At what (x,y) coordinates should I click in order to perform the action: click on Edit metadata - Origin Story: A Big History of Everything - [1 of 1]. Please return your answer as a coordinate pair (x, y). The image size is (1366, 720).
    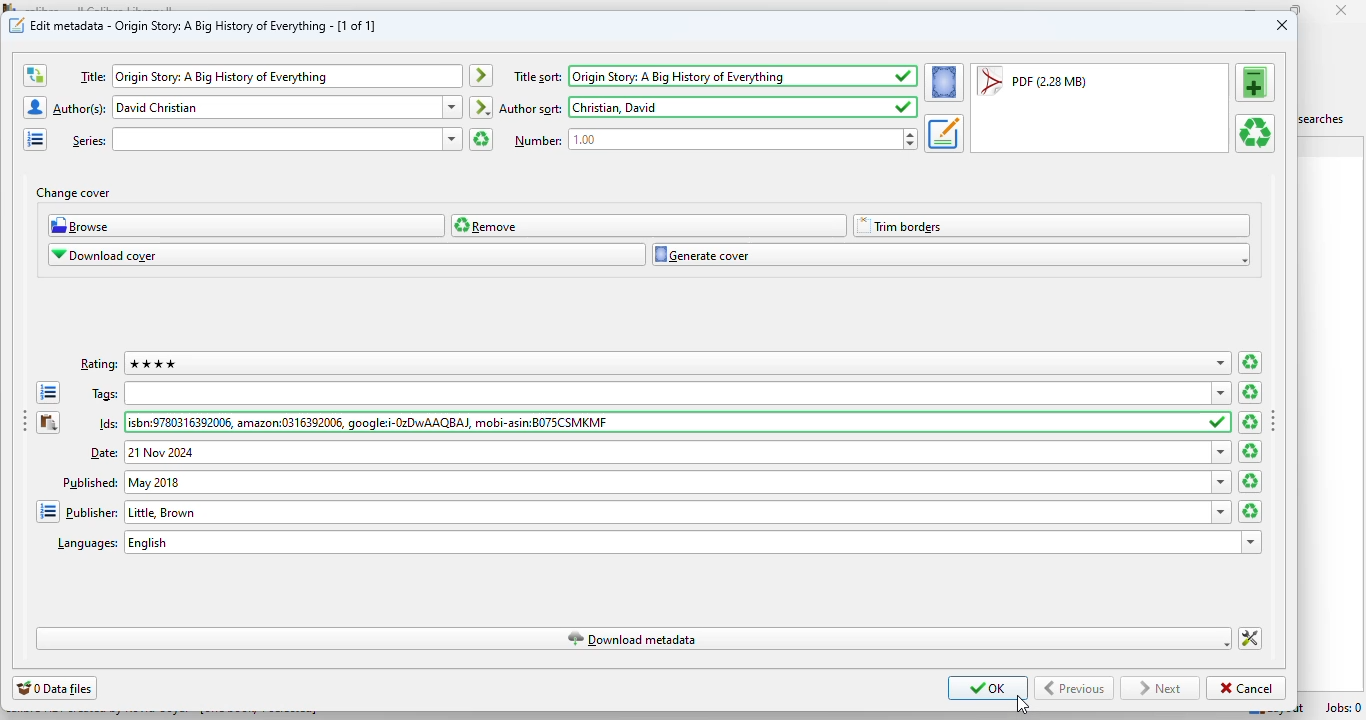
    Looking at the image, I should click on (204, 25).